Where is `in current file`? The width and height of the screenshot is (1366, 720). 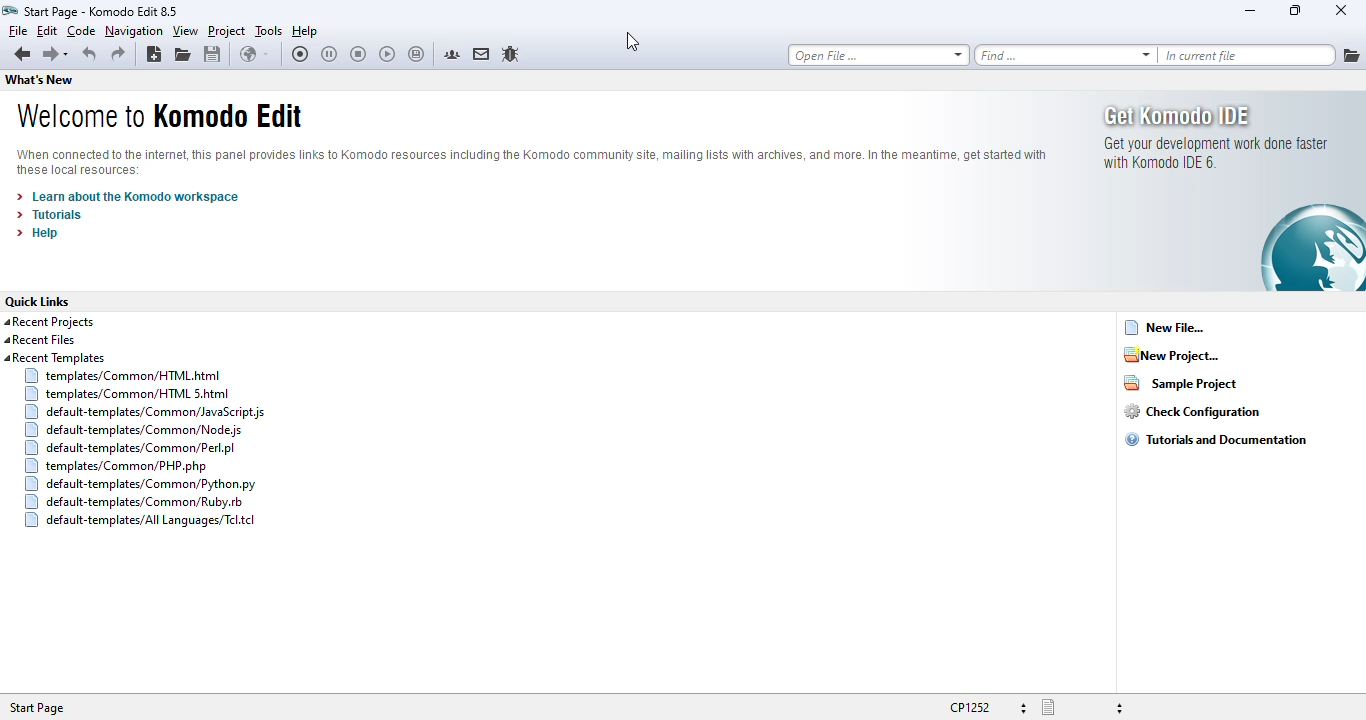 in current file is located at coordinates (1247, 55).